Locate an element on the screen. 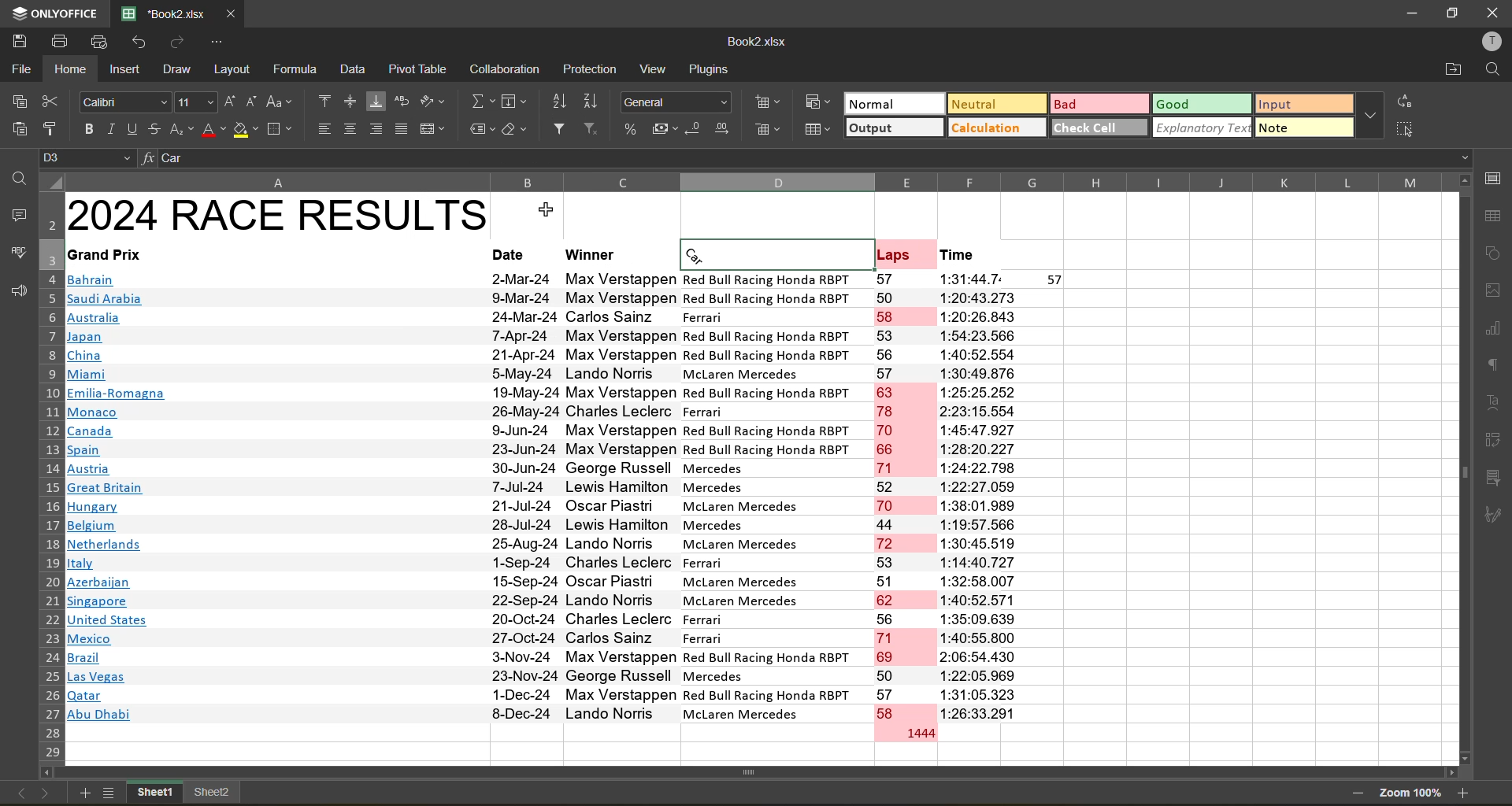 The image size is (1512, 806). add new sheet is located at coordinates (82, 793).